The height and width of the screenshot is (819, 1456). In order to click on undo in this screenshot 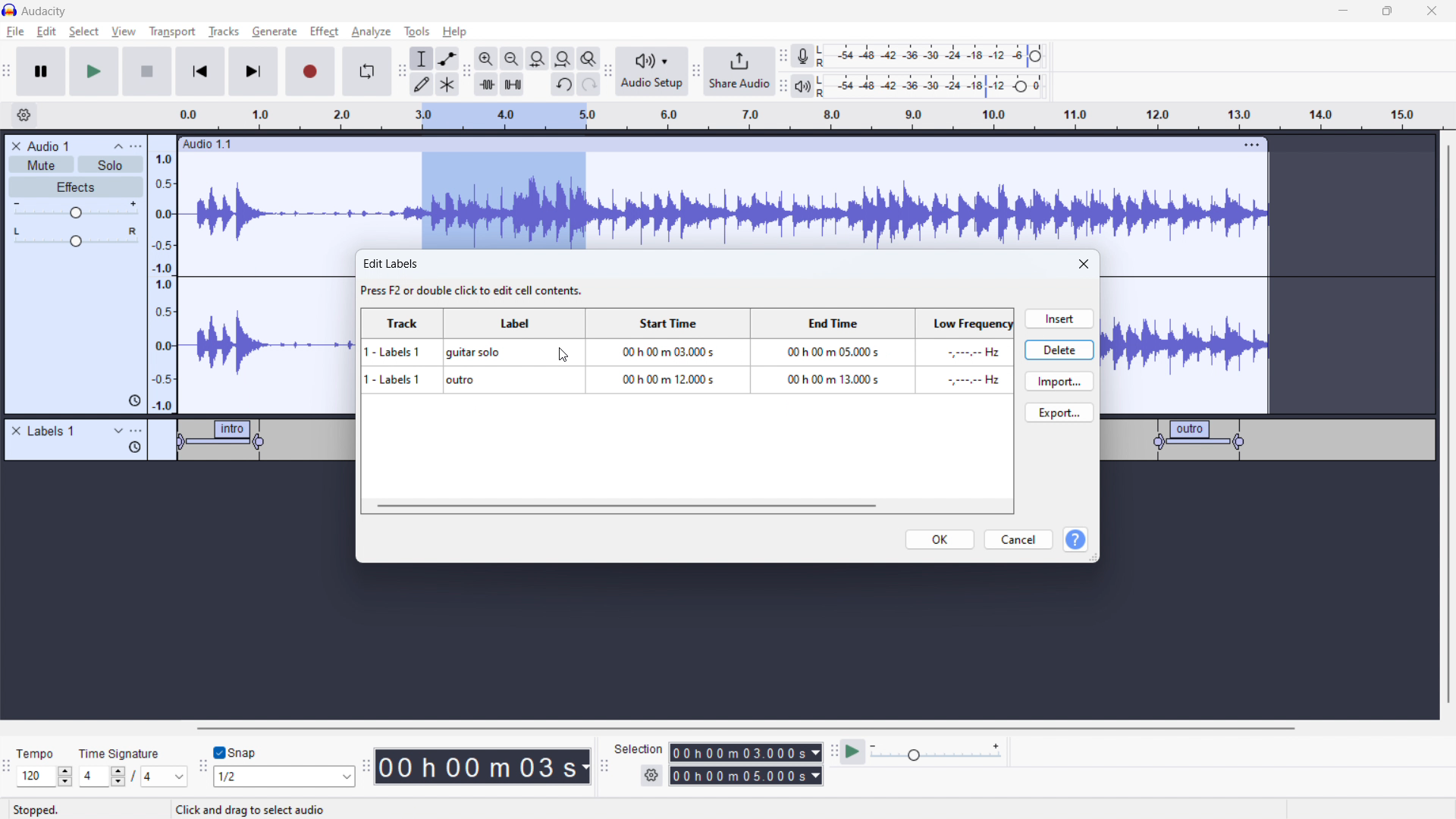, I will do `click(589, 84)`.